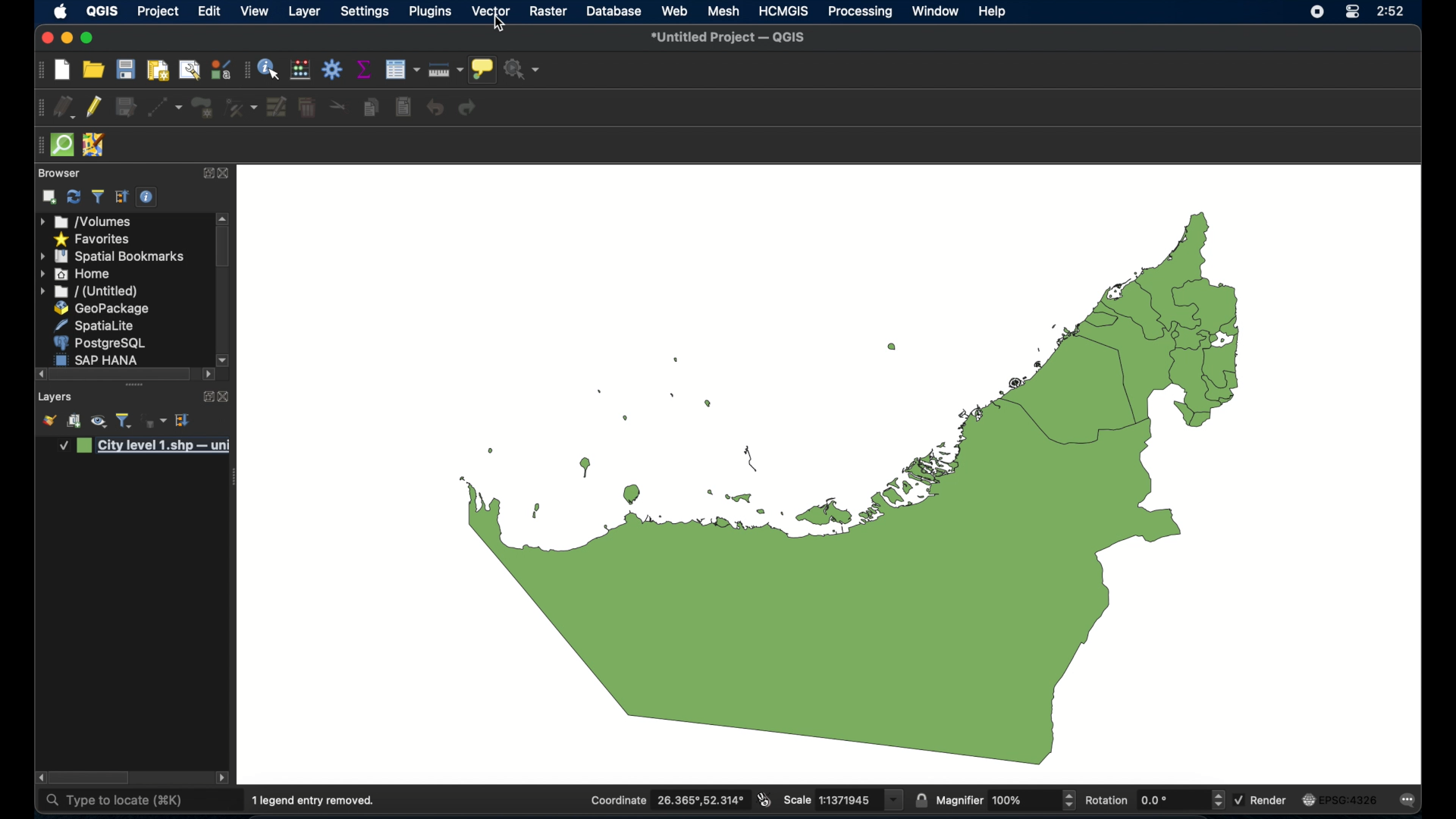  I want to click on plugins, so click(430, 12).